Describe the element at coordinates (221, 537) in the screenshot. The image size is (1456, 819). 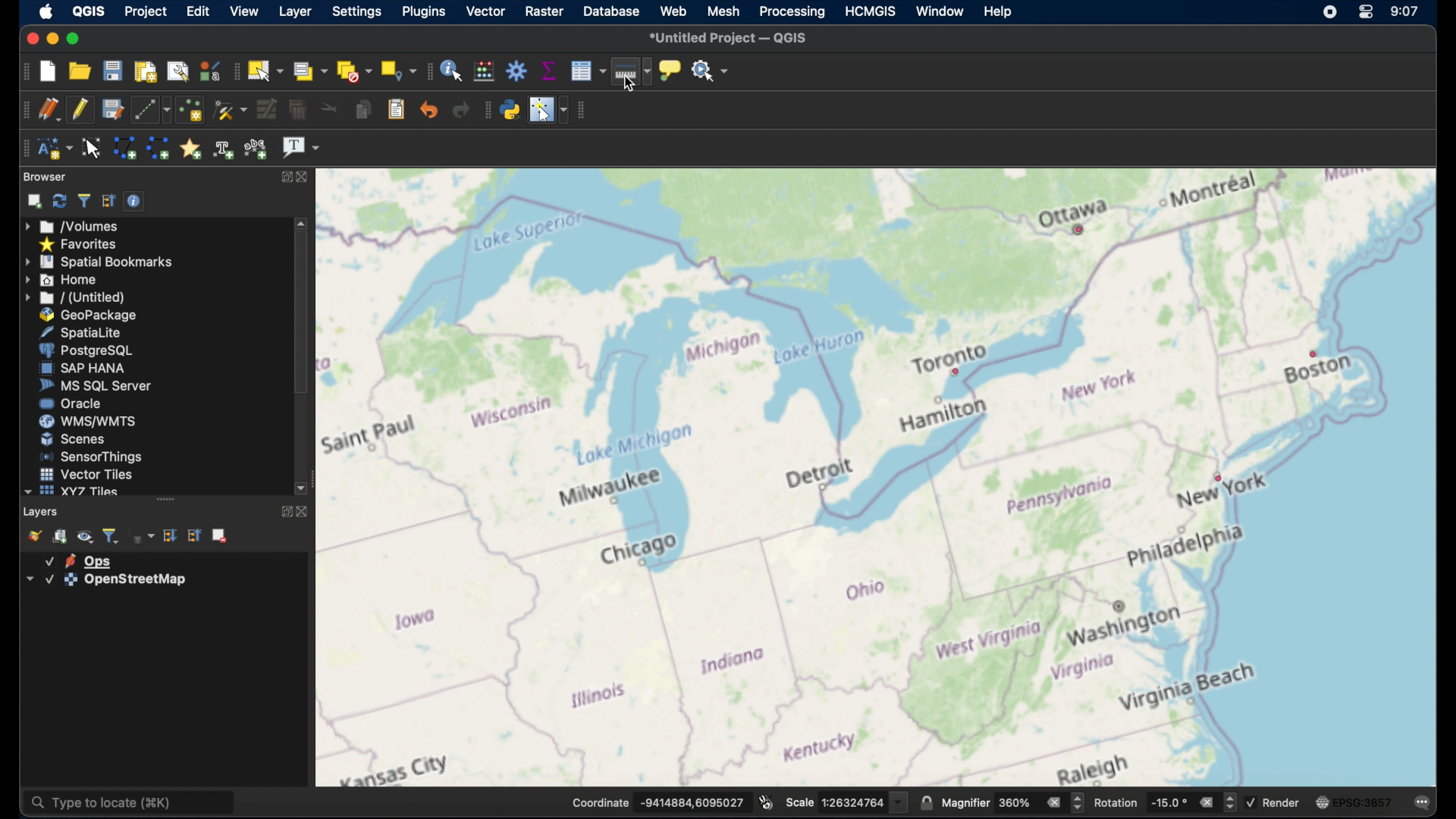
I see `remove. layer group` at that location.